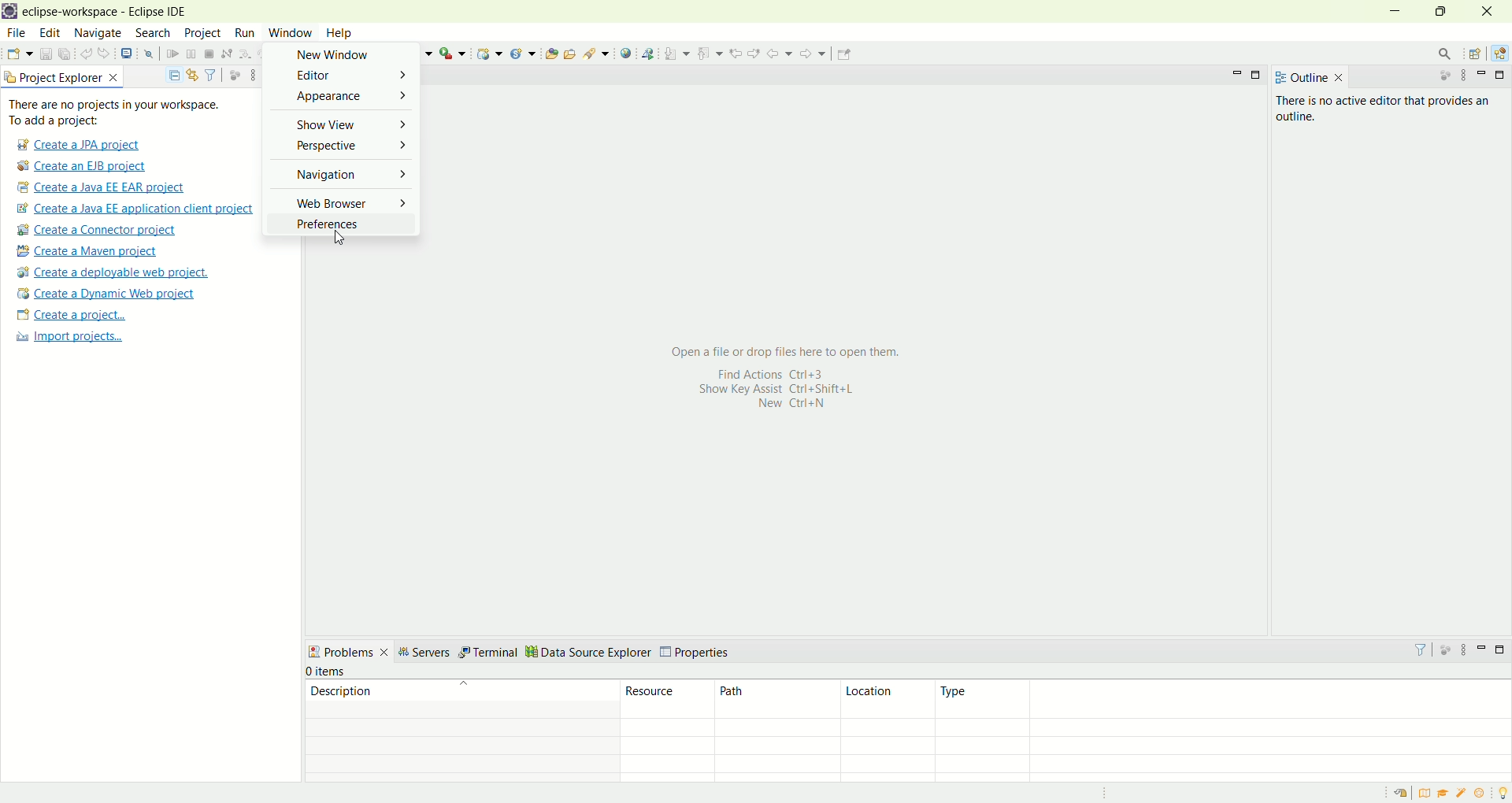 This screenshot has width=1512, height=803. Describe the element at coordinates (1492, 11) in the screenshot. I see `close` at that location.